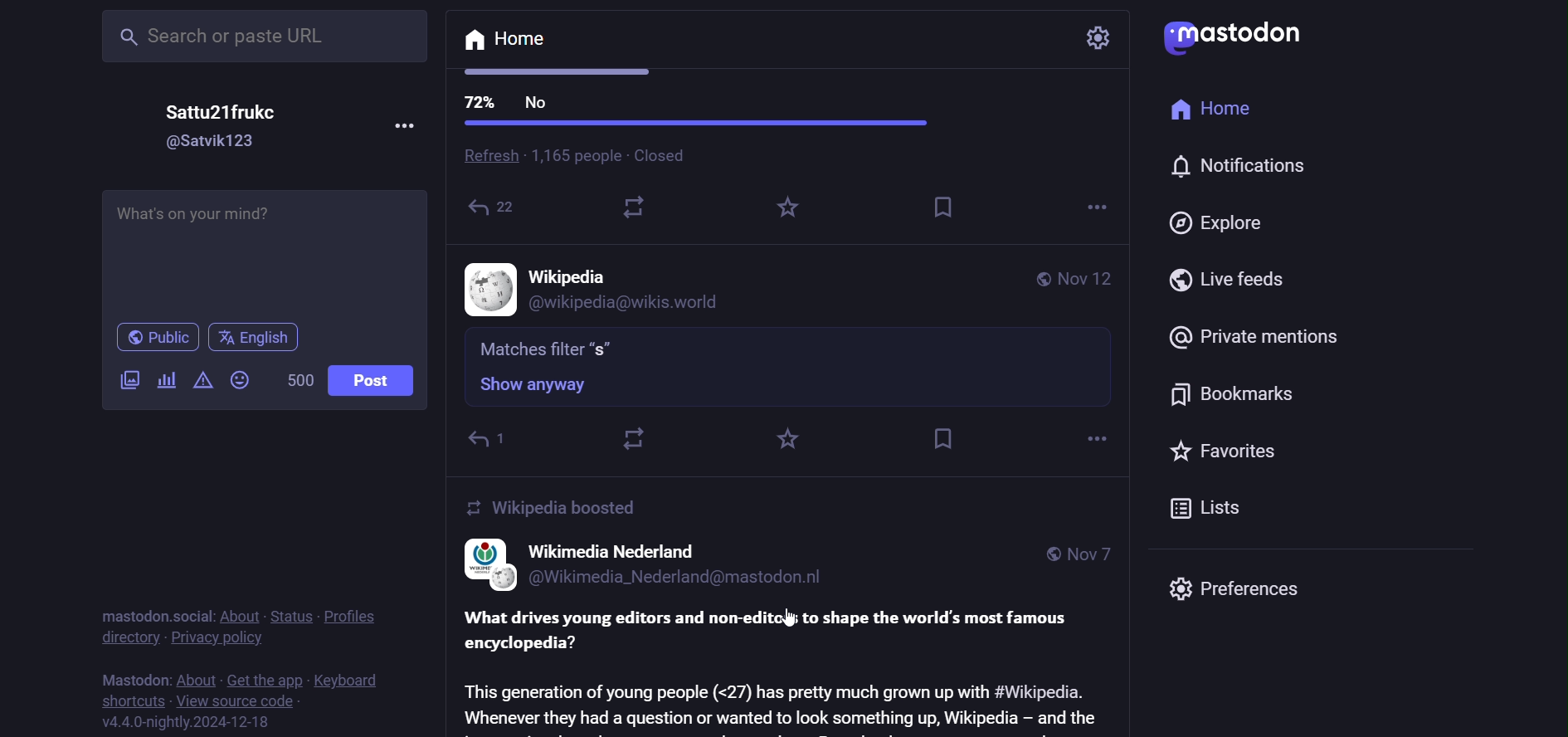  I want to click on live feed, so click(1235, 279).